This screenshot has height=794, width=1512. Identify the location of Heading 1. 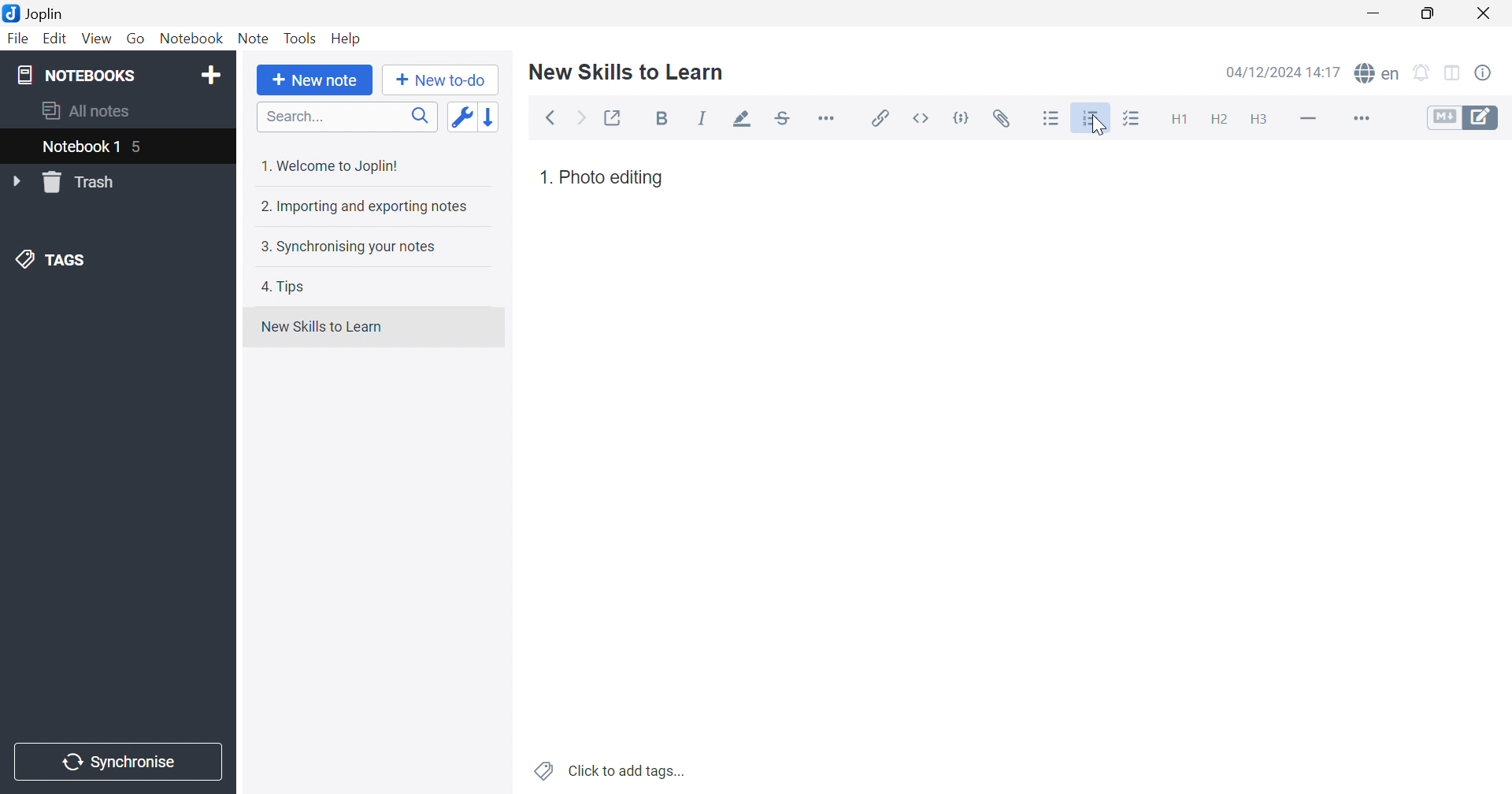
(1177, 121).